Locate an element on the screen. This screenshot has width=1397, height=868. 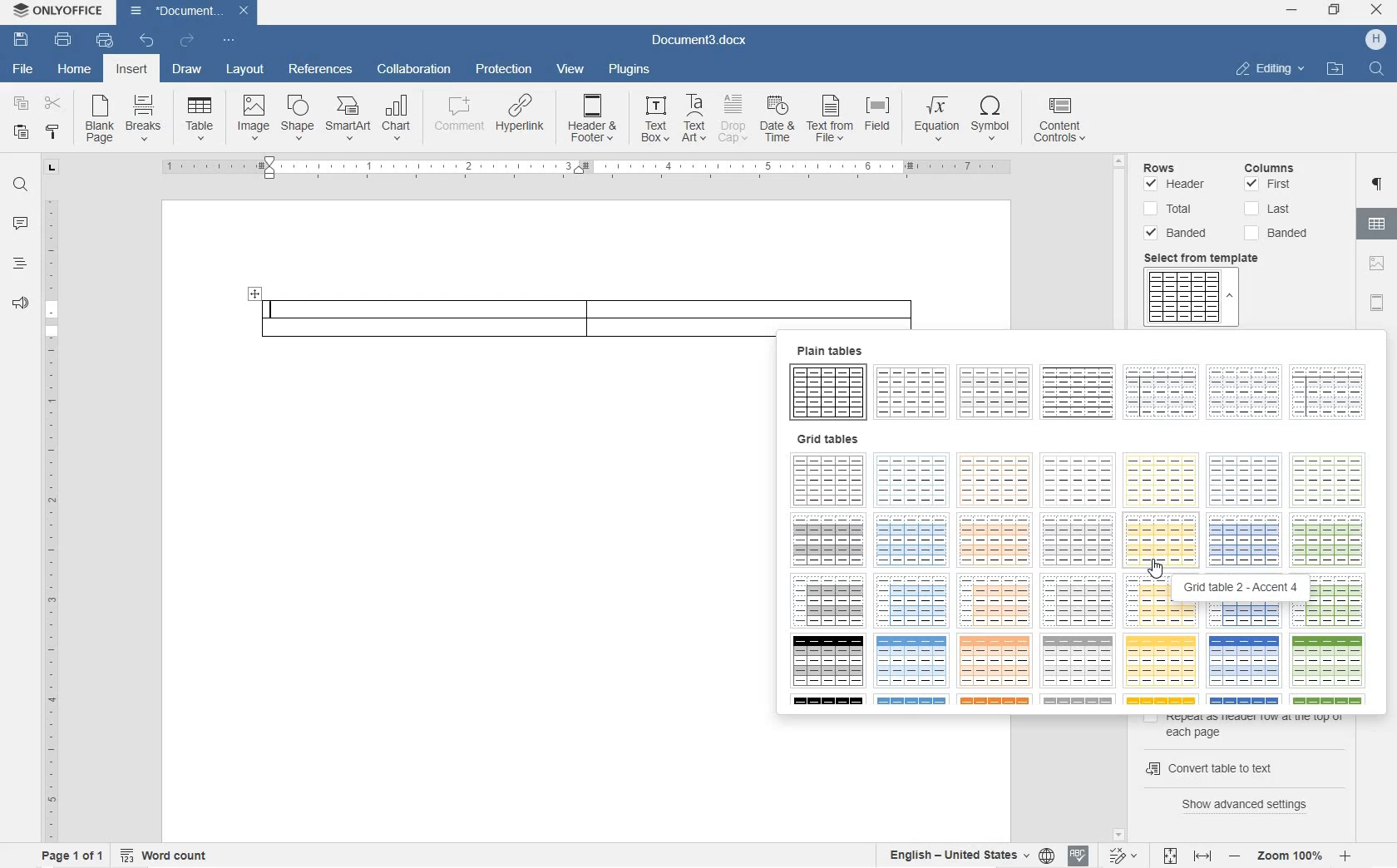
PROTECTION is located at coordinates (503, 71).